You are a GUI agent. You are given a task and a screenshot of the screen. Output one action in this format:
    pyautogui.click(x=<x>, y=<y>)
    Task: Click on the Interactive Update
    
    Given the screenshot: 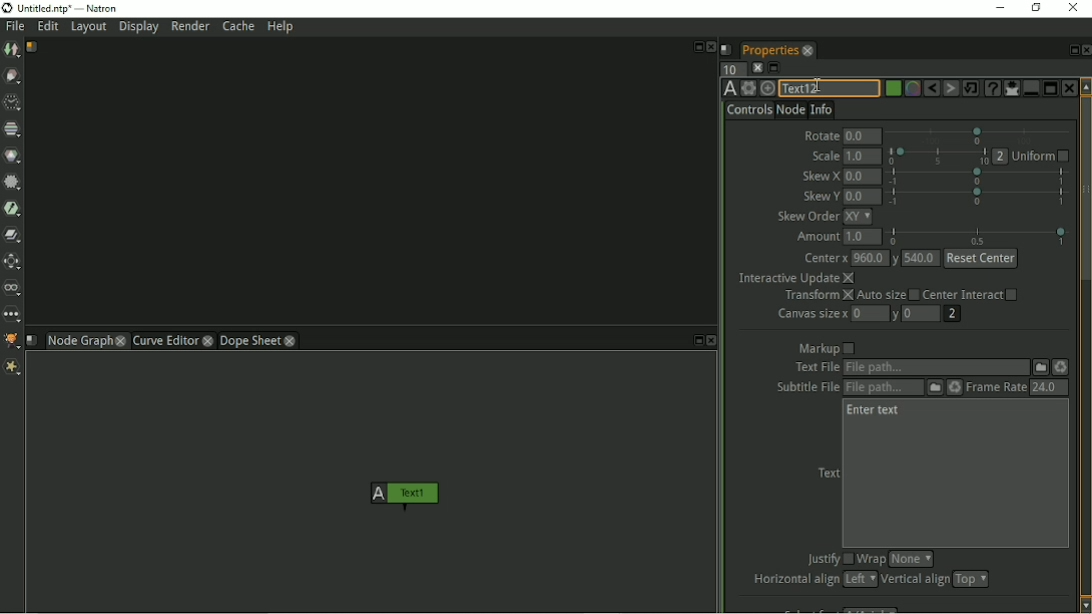 What is the action you would take?
    pyautogui.click(x=796, y=278)
    